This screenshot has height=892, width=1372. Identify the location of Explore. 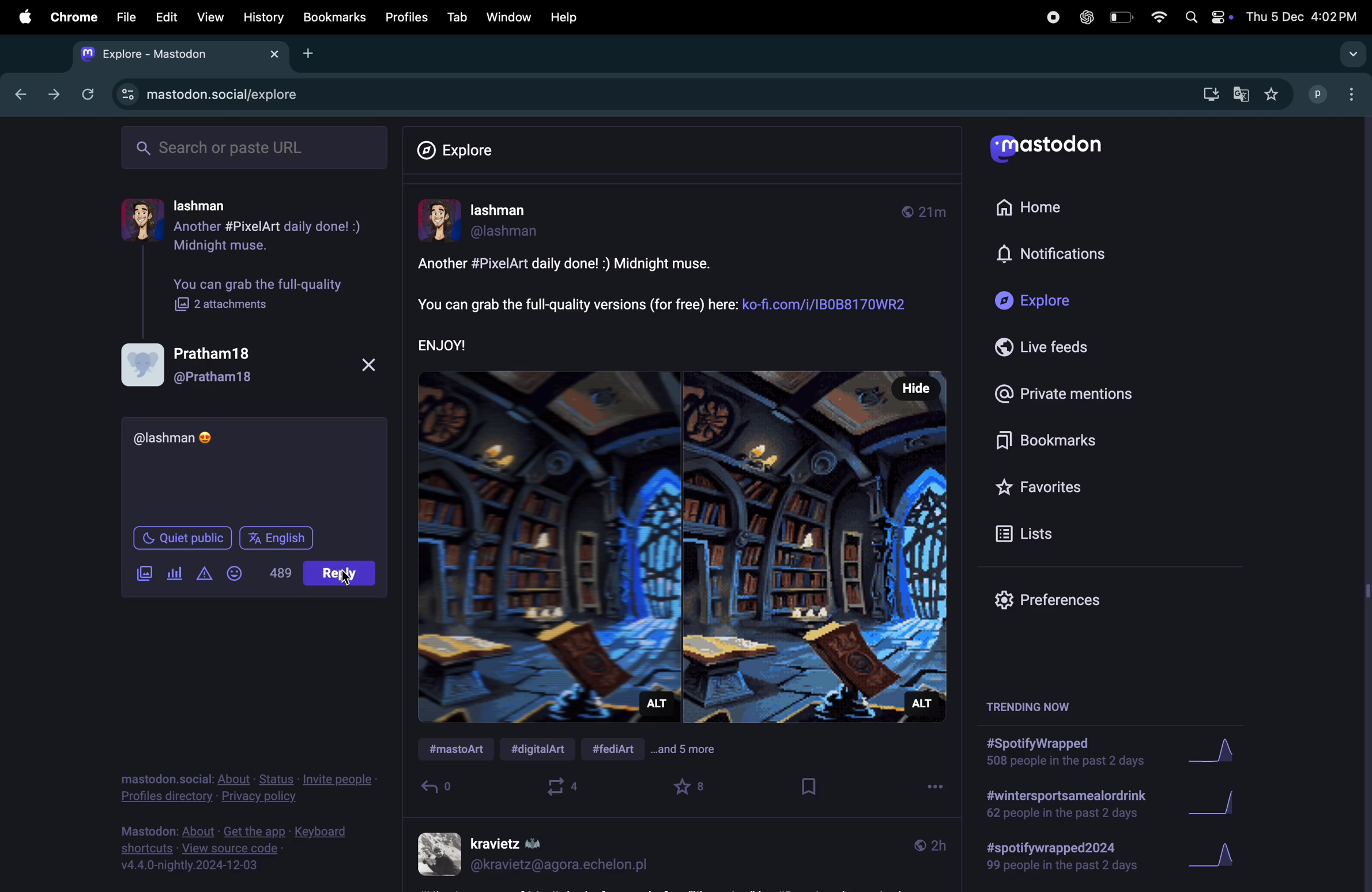
(455, 146).